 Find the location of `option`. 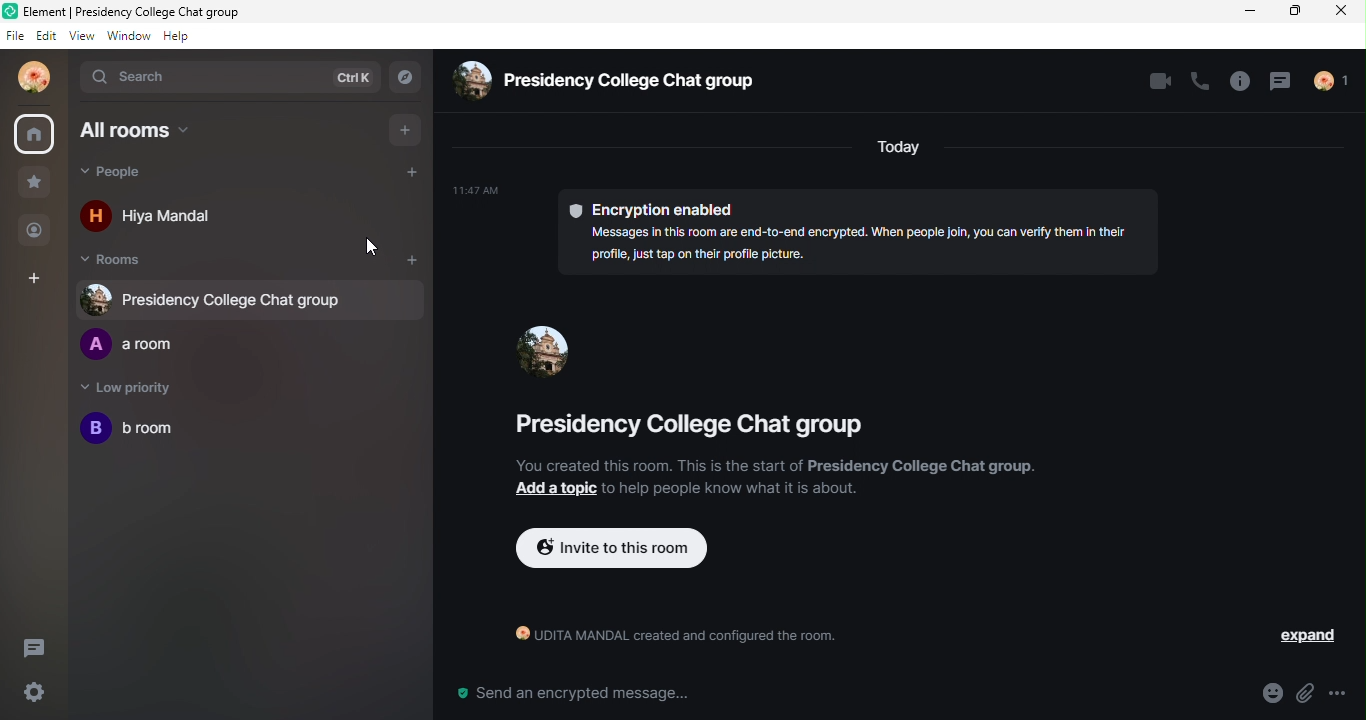

option is located at coordinates (1348, 693).